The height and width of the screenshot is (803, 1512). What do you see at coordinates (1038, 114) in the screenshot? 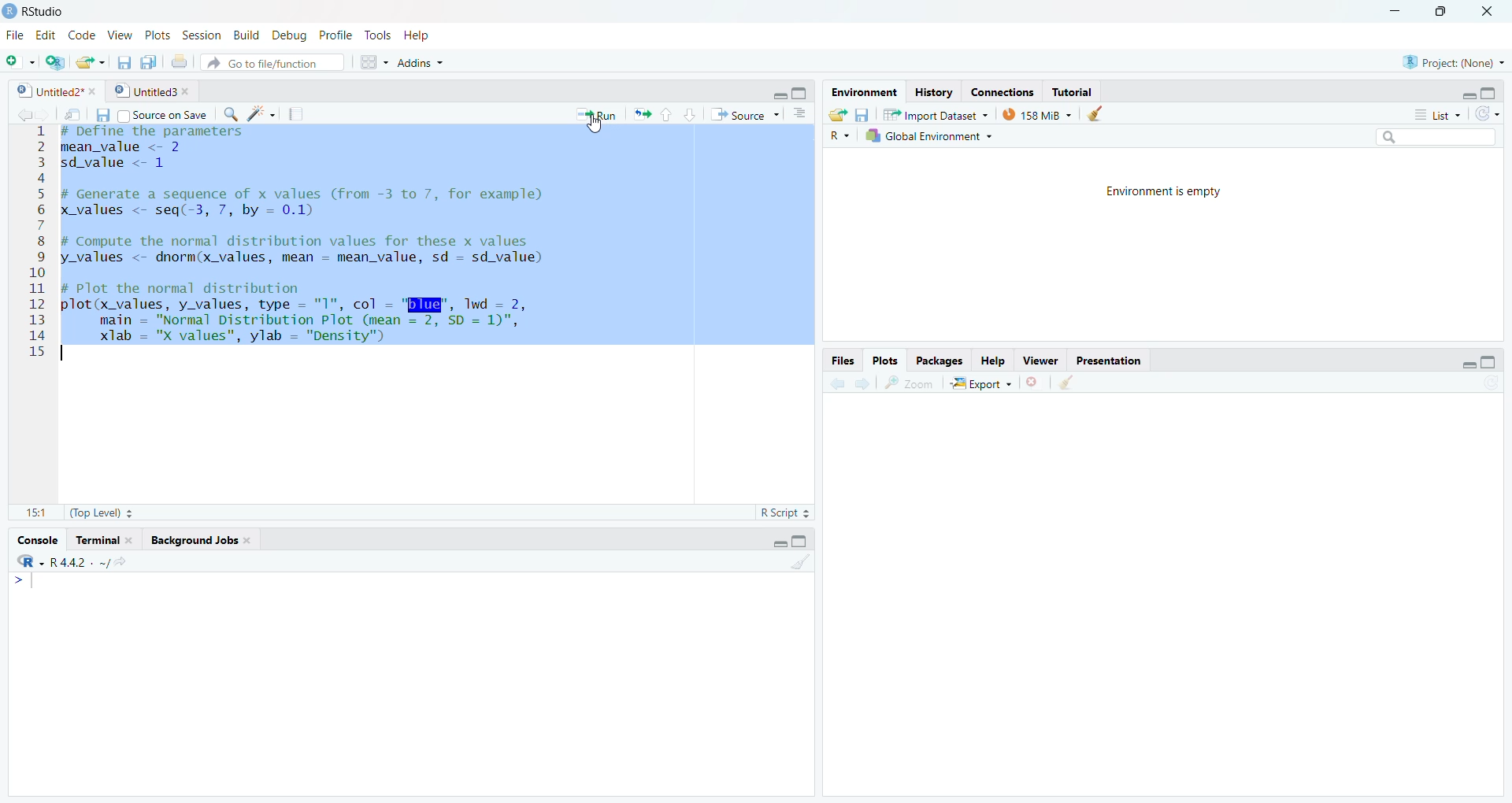
I see `» 158 MiB ` at bounding box center [1038, 114].